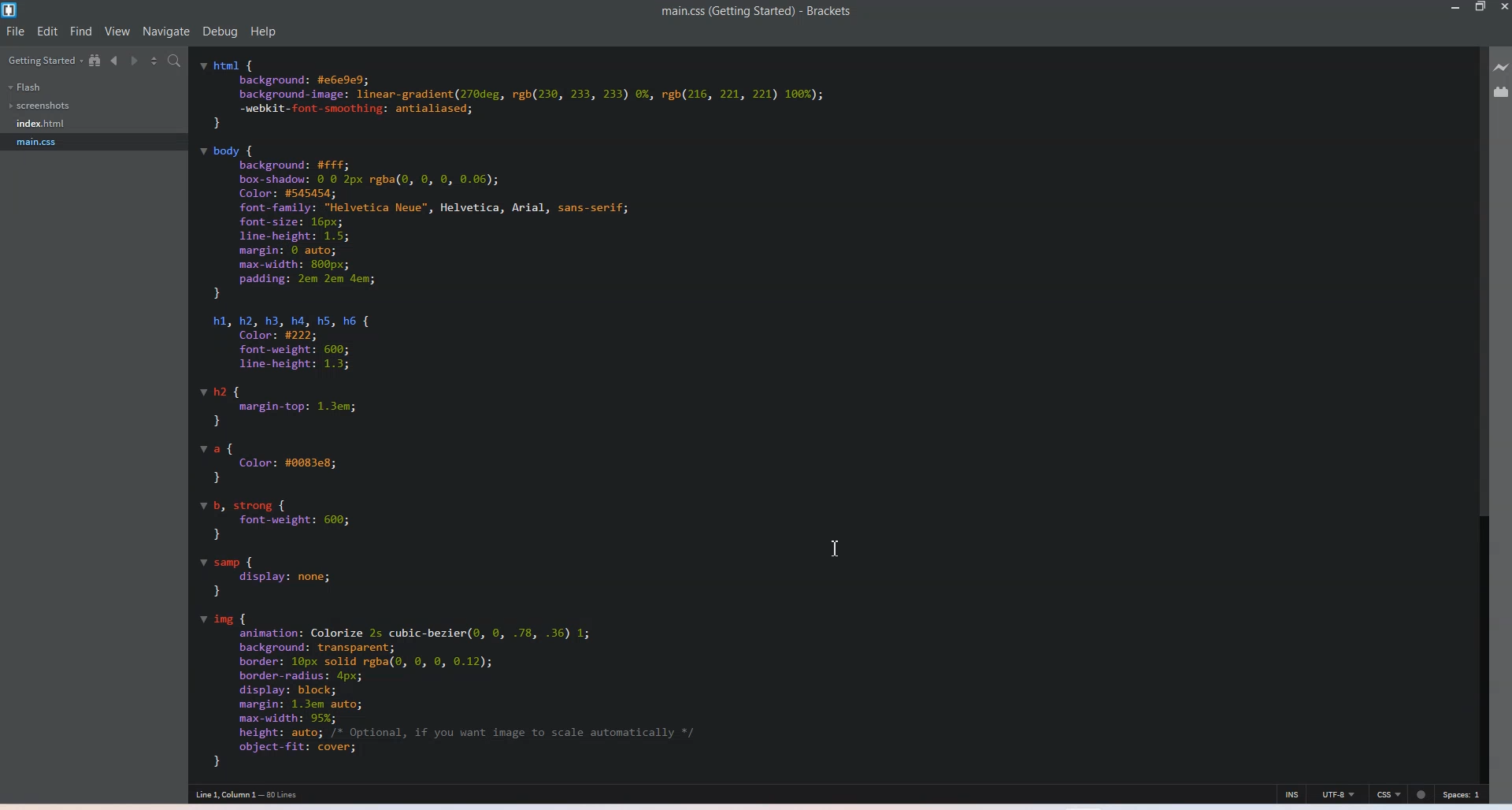 The width and height of the screenshot is (1512, 810). What do you see at coordinates (135, 61) in the screenshot?
I see `Navigate Forward` at bounding box center [135, 61].